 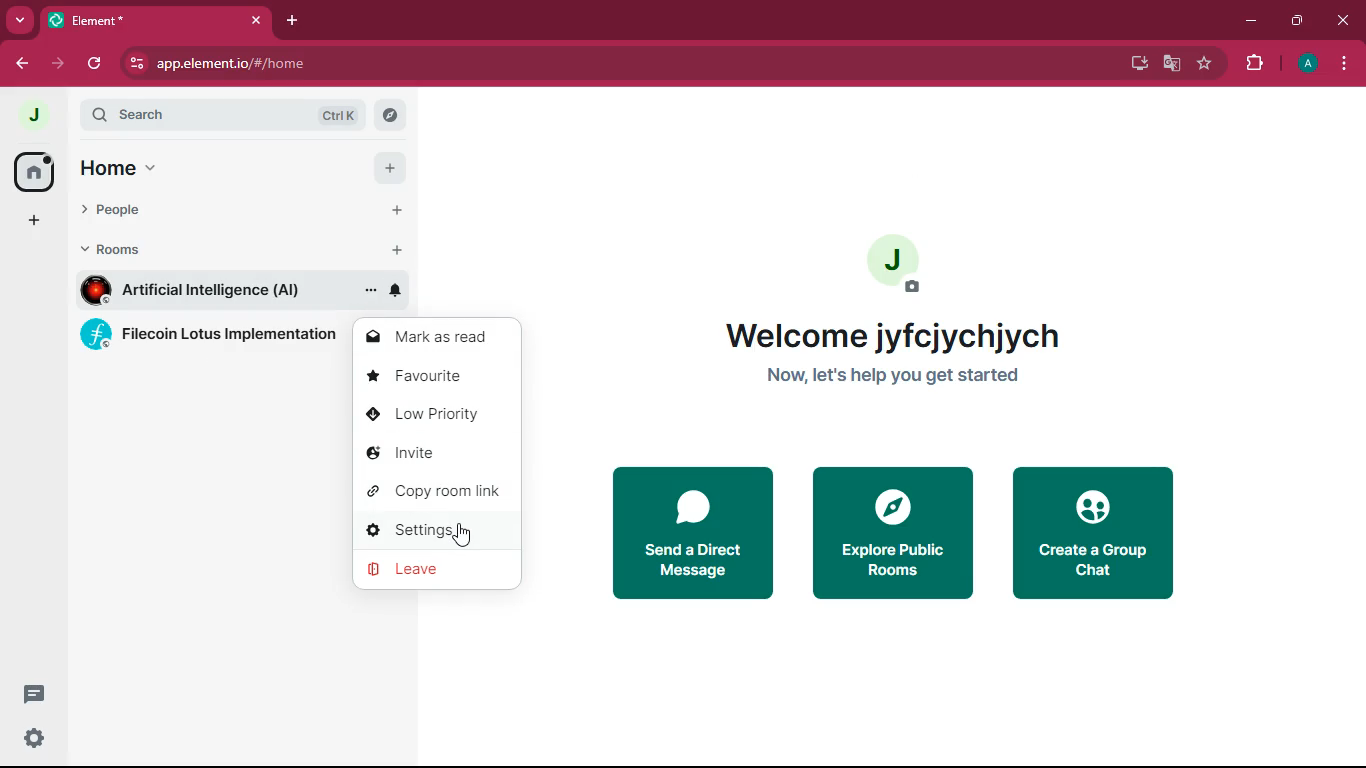 What do you see at coordinates (1343, 21) in the screenshot?
I see `close` at bounding box center [1343, 21].